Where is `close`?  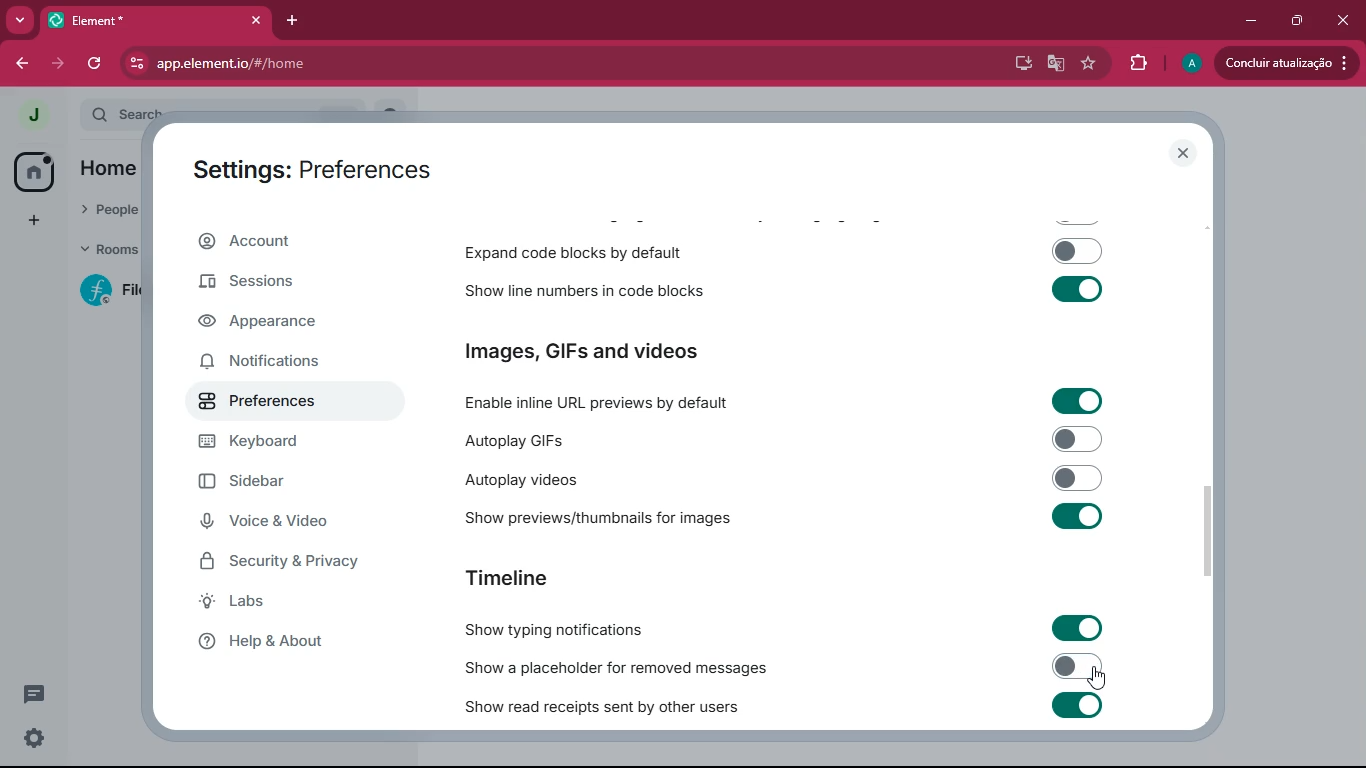 close is located at coordinates (1345, 24).